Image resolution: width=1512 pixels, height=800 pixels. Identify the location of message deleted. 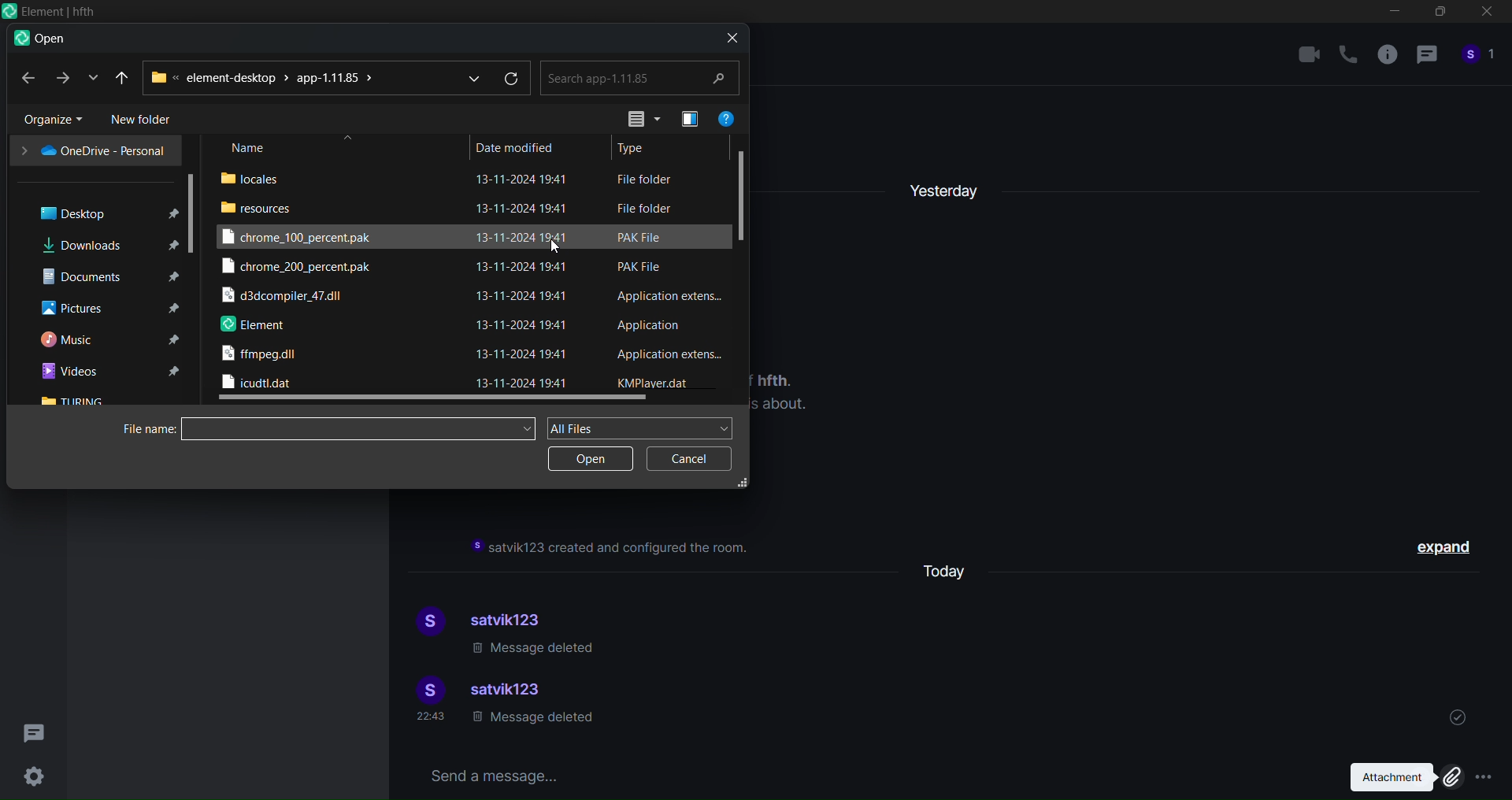
(535, 650).